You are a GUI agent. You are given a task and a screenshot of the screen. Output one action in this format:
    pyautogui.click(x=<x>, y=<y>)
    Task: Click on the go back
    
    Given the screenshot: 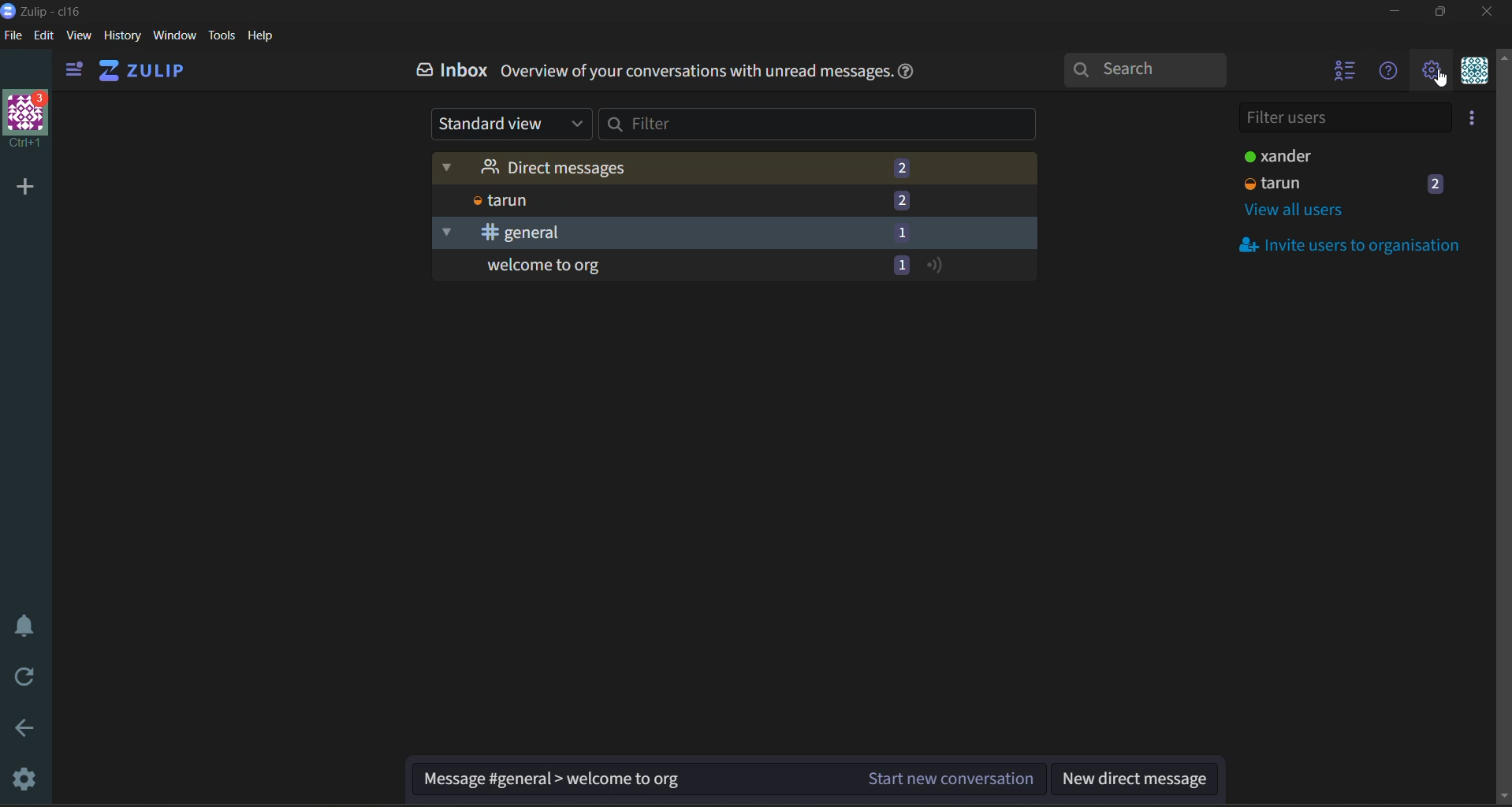 What is the action you would take?
    pyautogui.click(x=19, y=731)
    